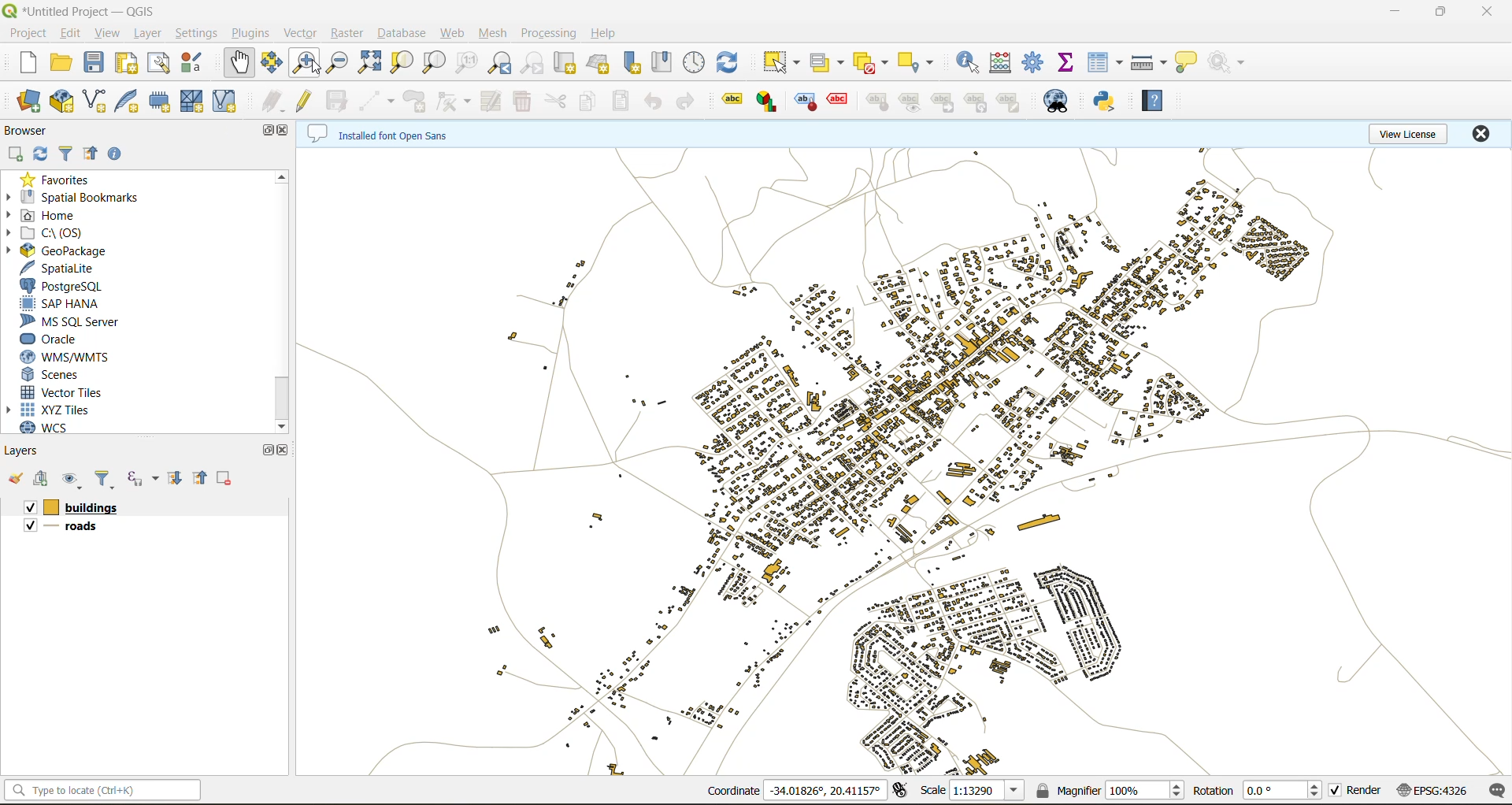 Image resolution: width=1512 pixels, height=805 pixels. Describe the element at coordinates (198, 477) in the screenshot. I see `collapse all` at that location.